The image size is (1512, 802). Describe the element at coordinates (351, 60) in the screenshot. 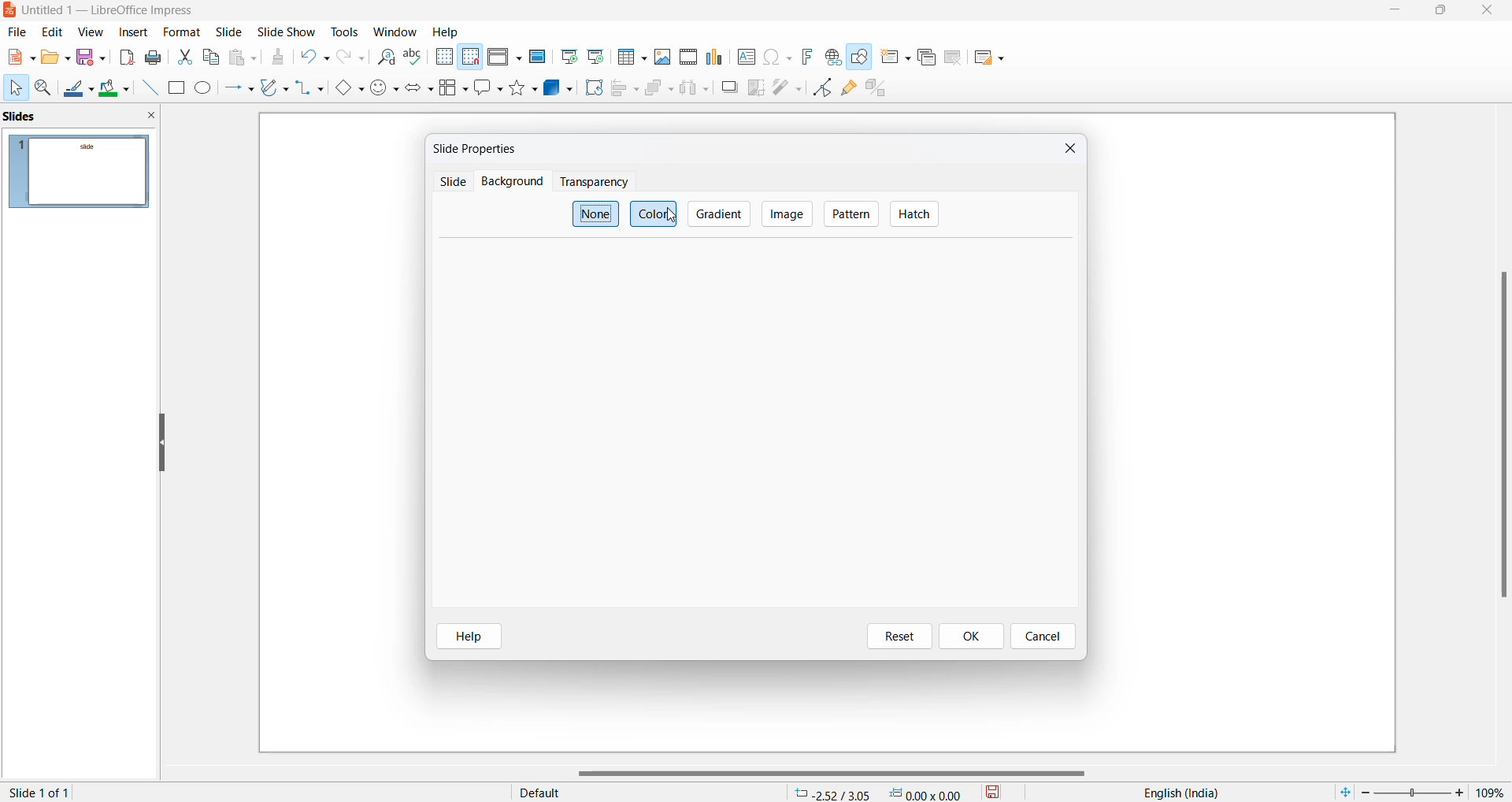

I see `redo ` at that location.